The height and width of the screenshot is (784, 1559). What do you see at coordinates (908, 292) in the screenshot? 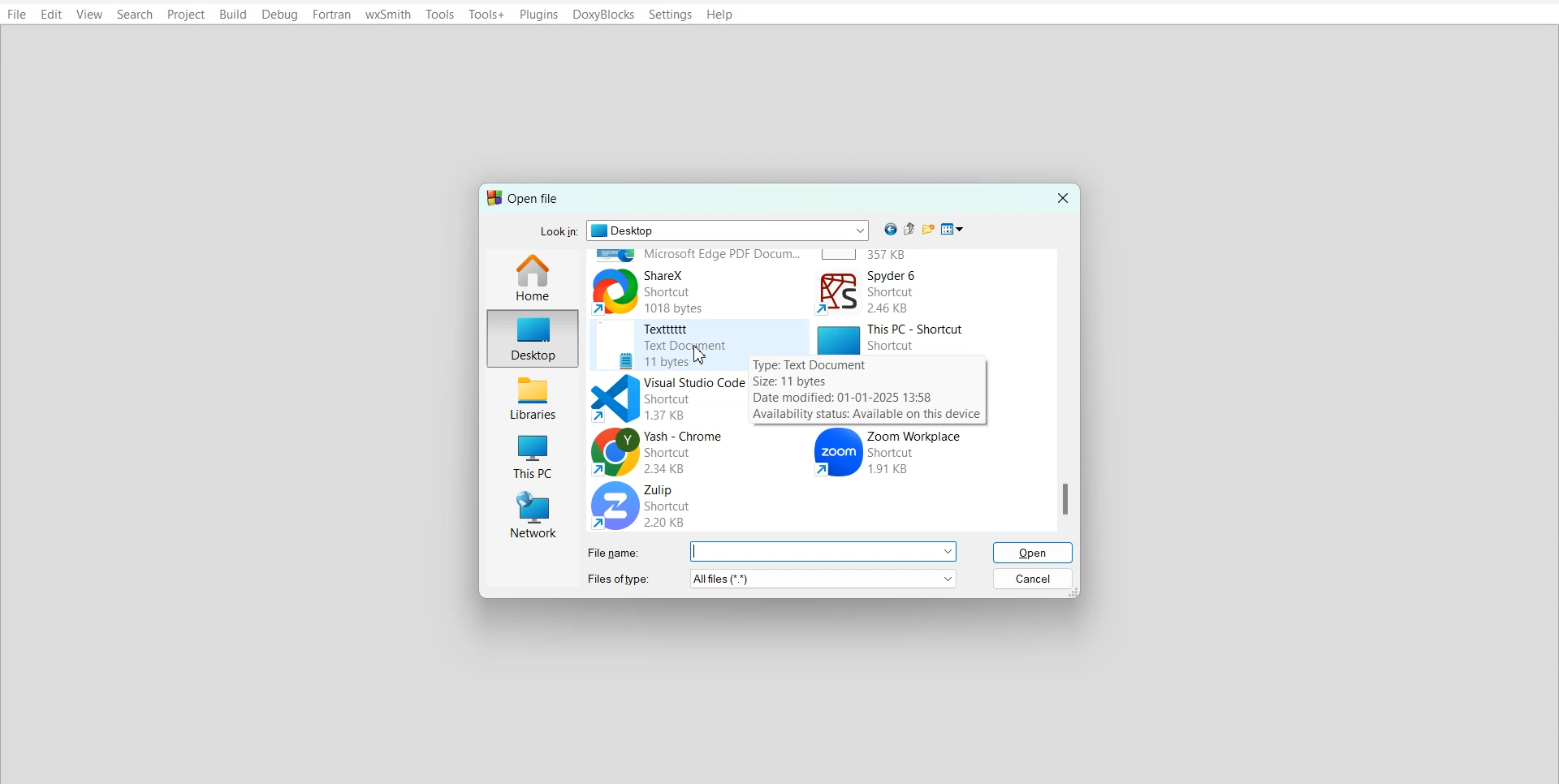
I see `Spyder` at bounding box center [908, 292].